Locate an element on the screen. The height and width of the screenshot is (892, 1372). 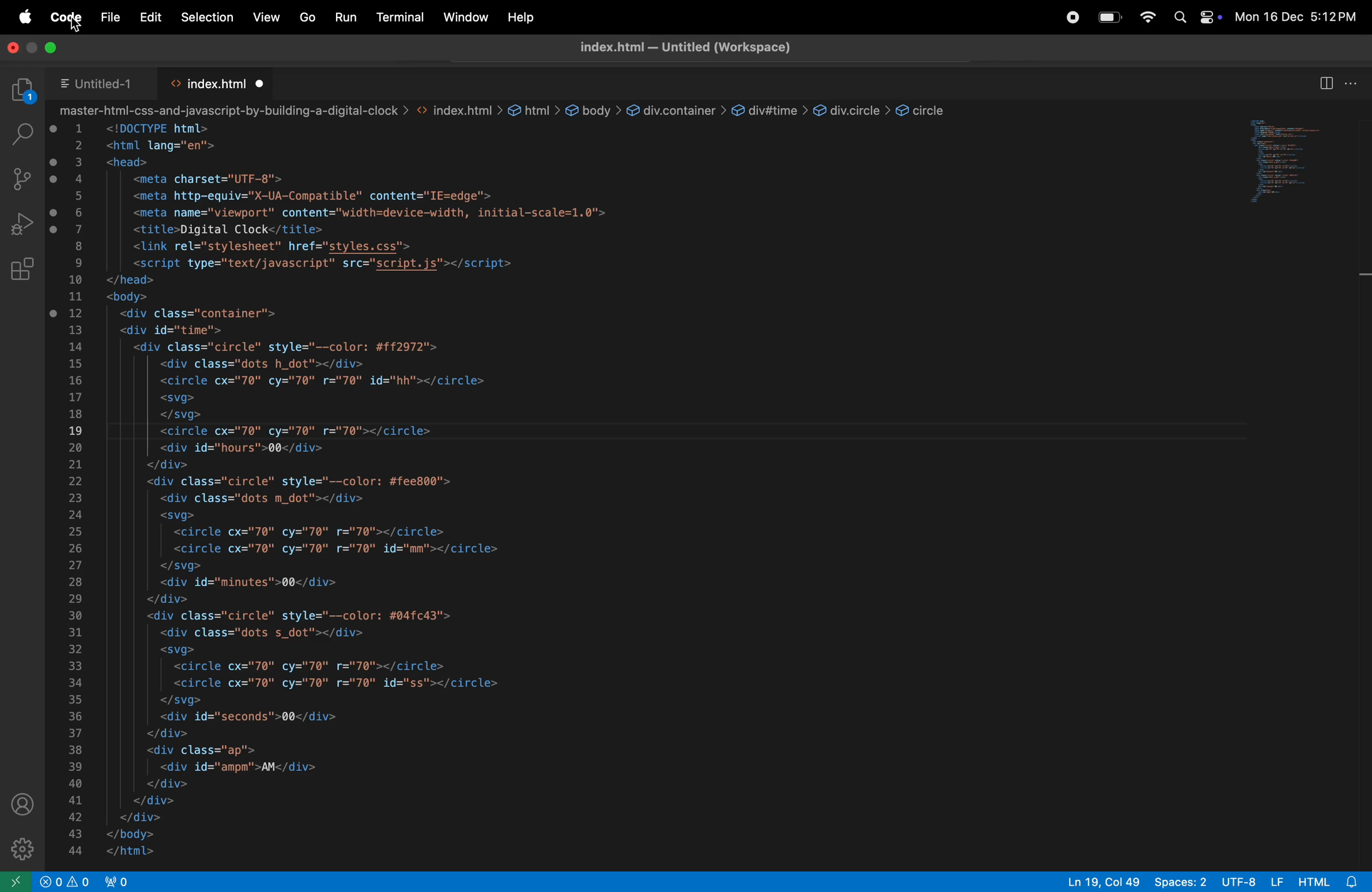
<body> is located at coordinates (129, 297).